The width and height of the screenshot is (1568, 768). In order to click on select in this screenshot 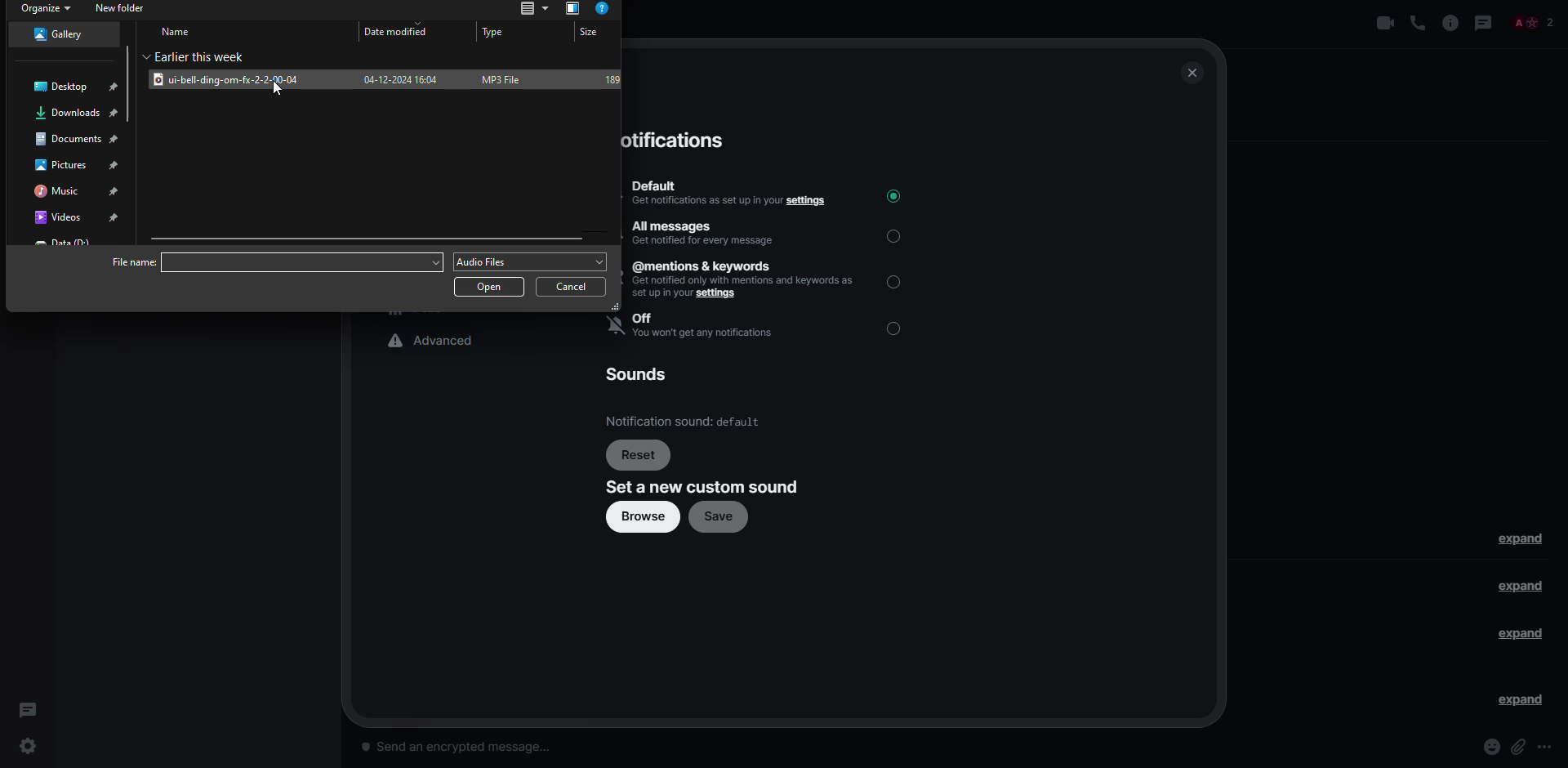, I will do `click(896, 280)`.